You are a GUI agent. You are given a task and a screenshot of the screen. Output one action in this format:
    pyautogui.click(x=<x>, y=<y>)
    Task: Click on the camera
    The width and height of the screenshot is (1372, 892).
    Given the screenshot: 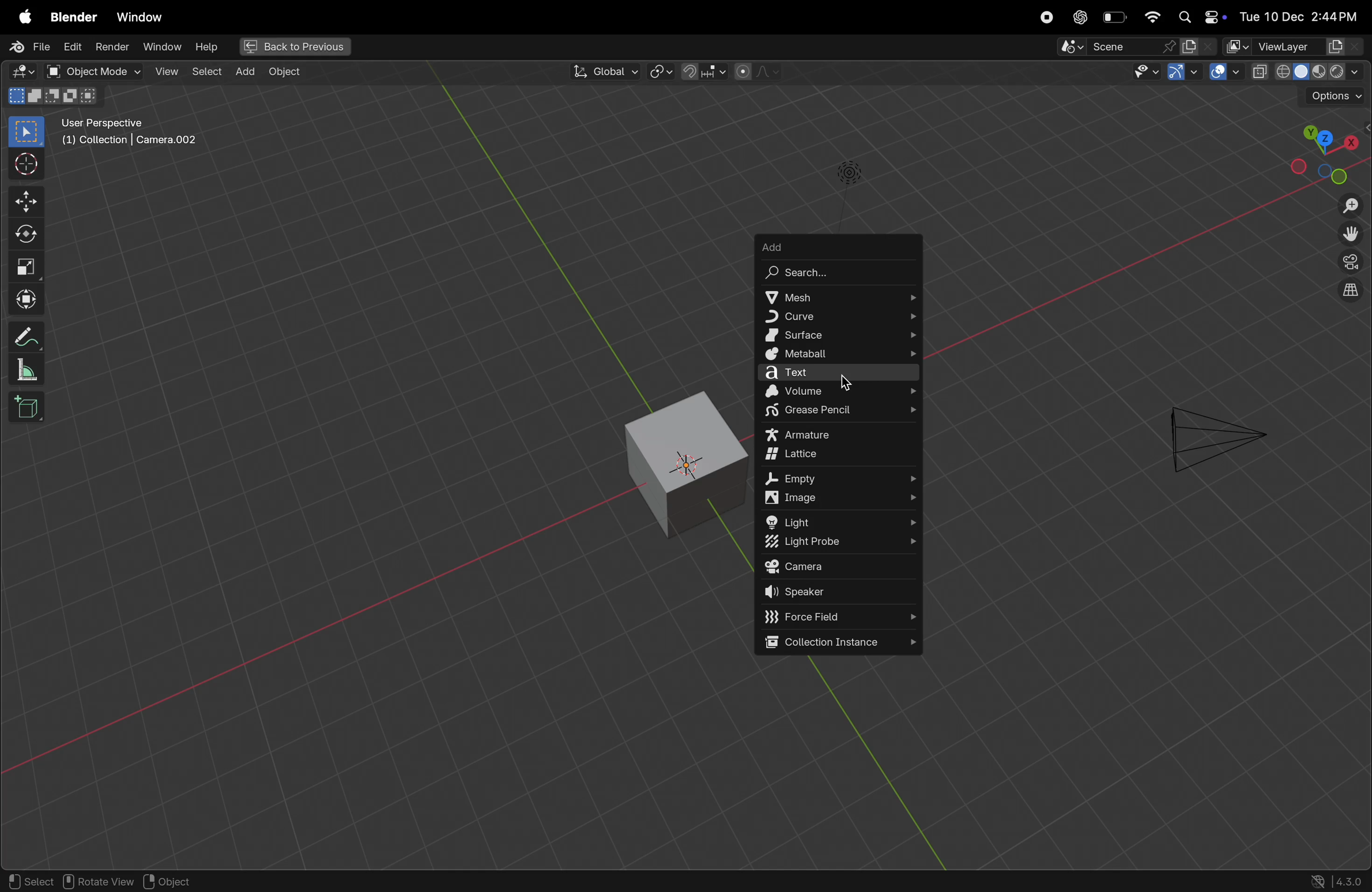 What is the action you would take?
    pyautogui.click(x=840, y=566)
    